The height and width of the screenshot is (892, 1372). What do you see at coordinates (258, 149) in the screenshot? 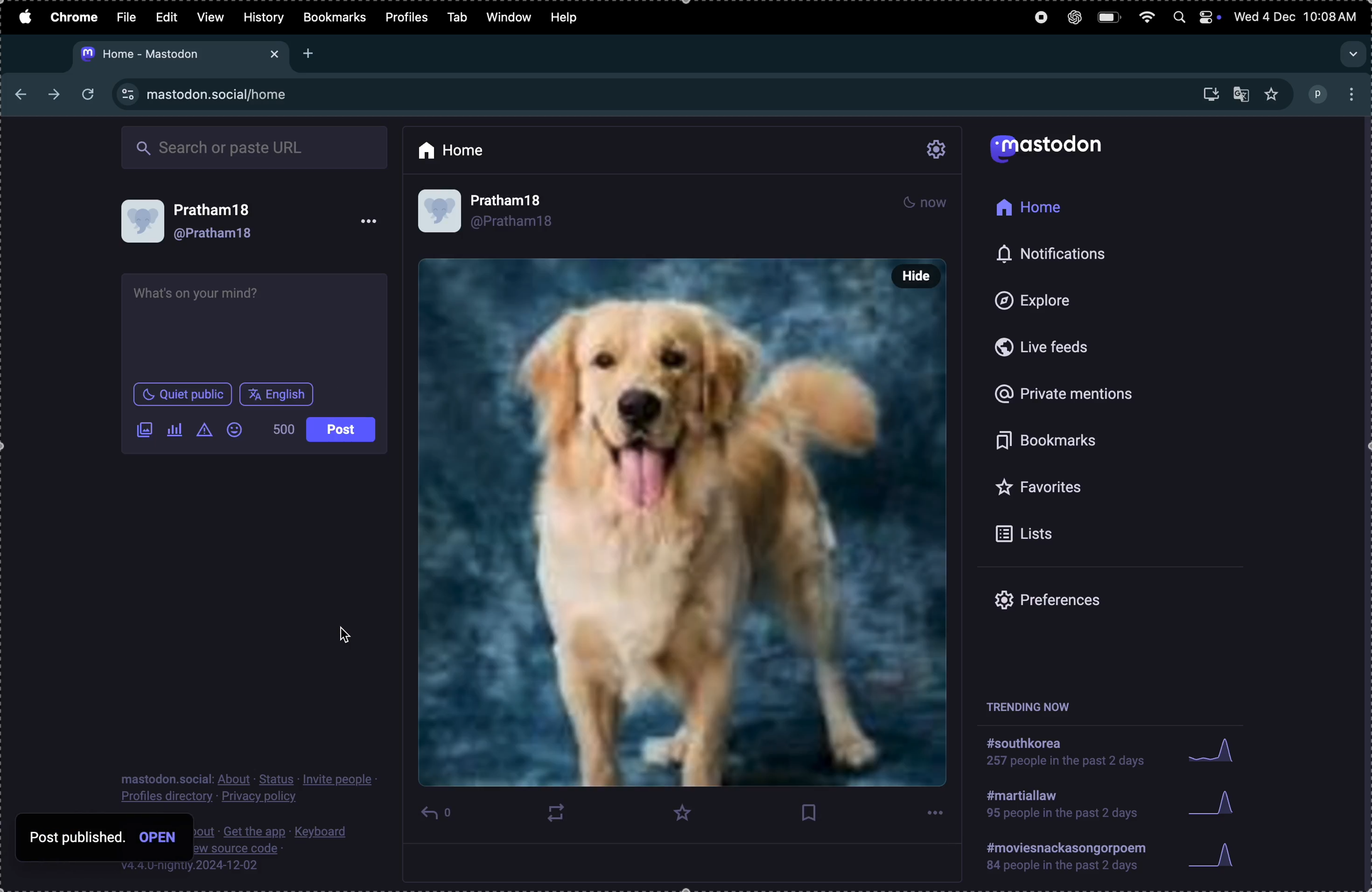
I see `Search box url` at bounding box center [258, 149].